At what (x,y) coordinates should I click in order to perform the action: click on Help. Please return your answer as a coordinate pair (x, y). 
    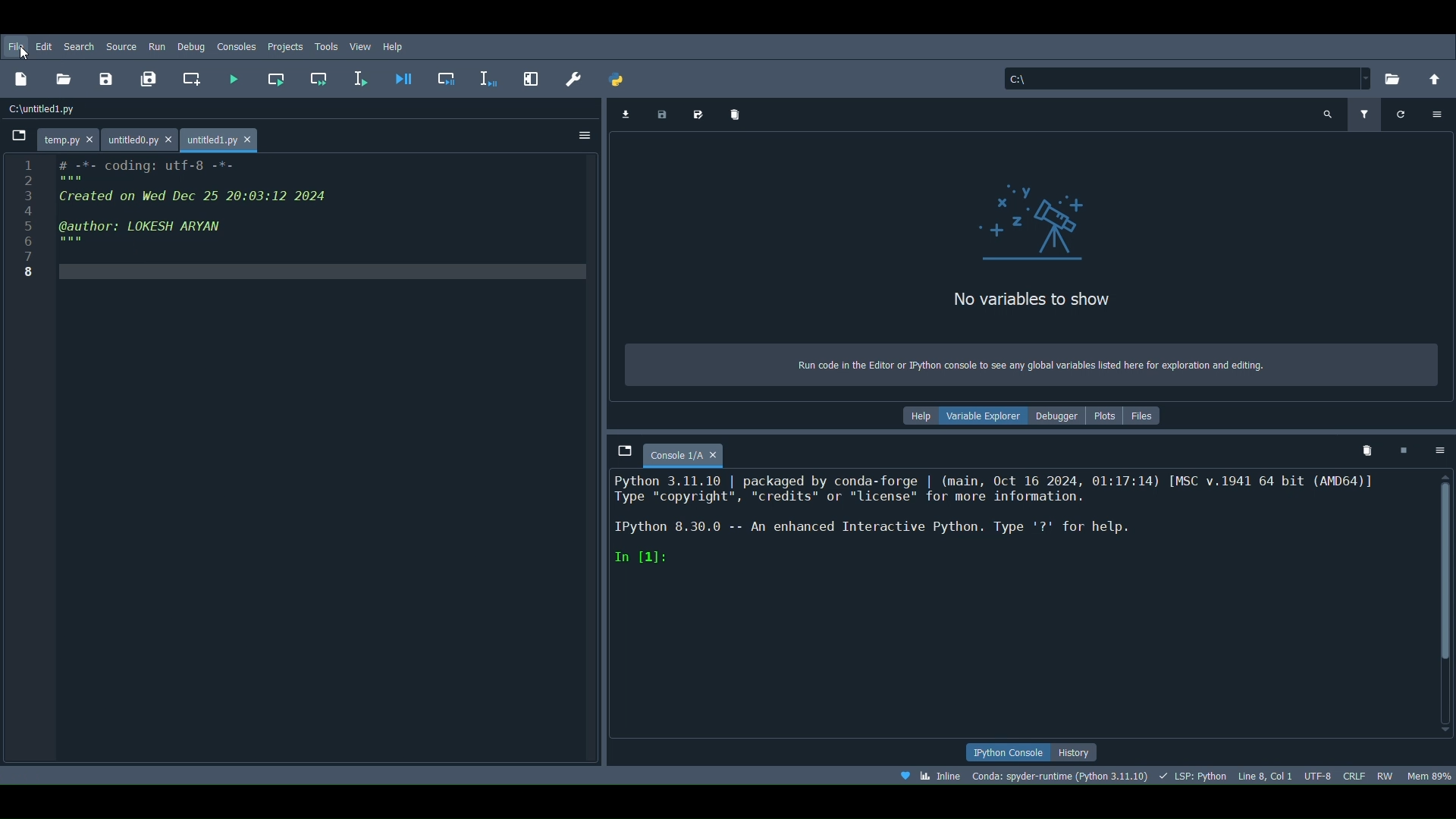
    Looking at the image, I should click on (394, 45).